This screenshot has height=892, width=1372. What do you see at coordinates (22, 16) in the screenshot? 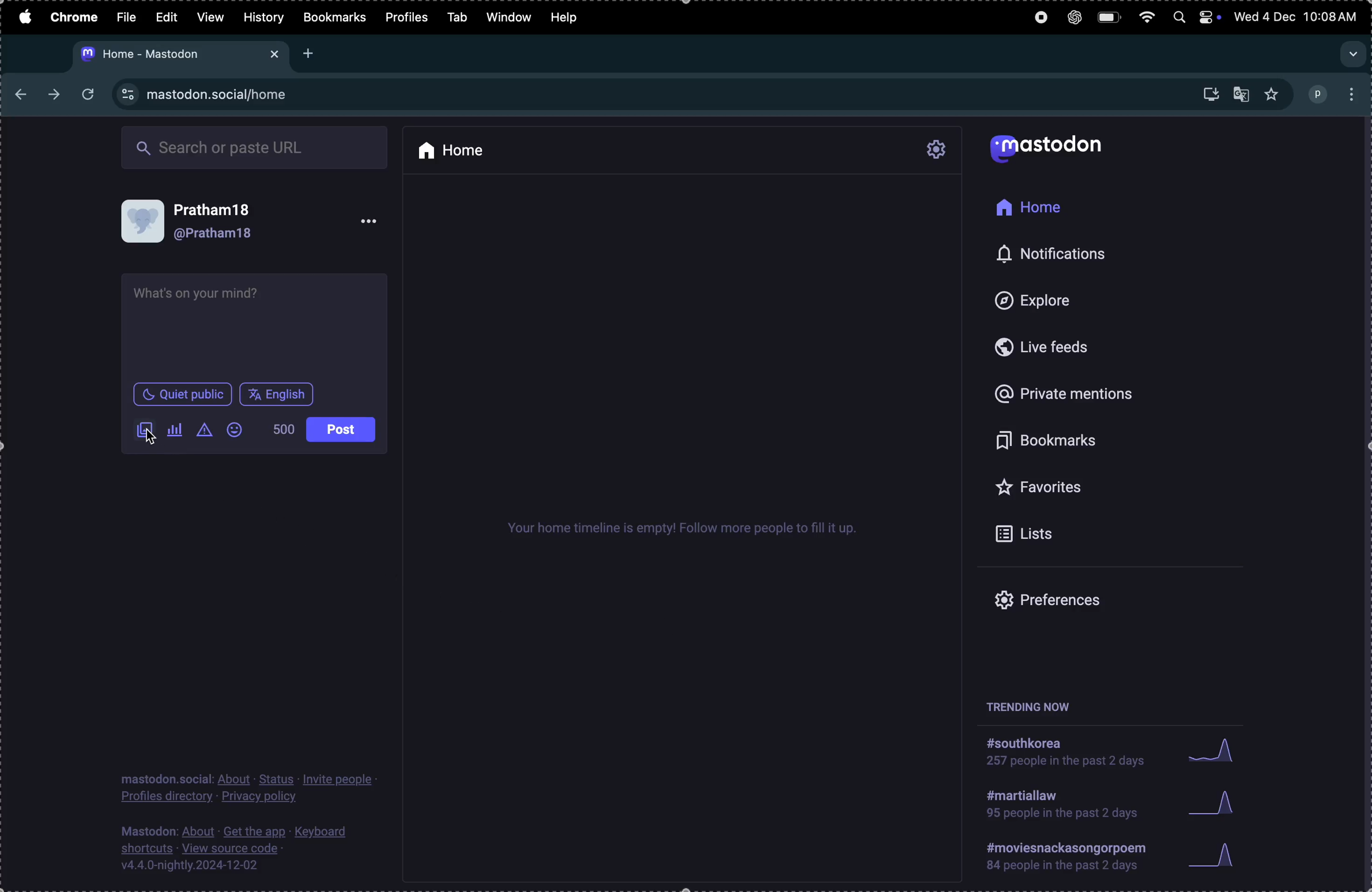
I see `apple menu` at bounding box center [22, 16].